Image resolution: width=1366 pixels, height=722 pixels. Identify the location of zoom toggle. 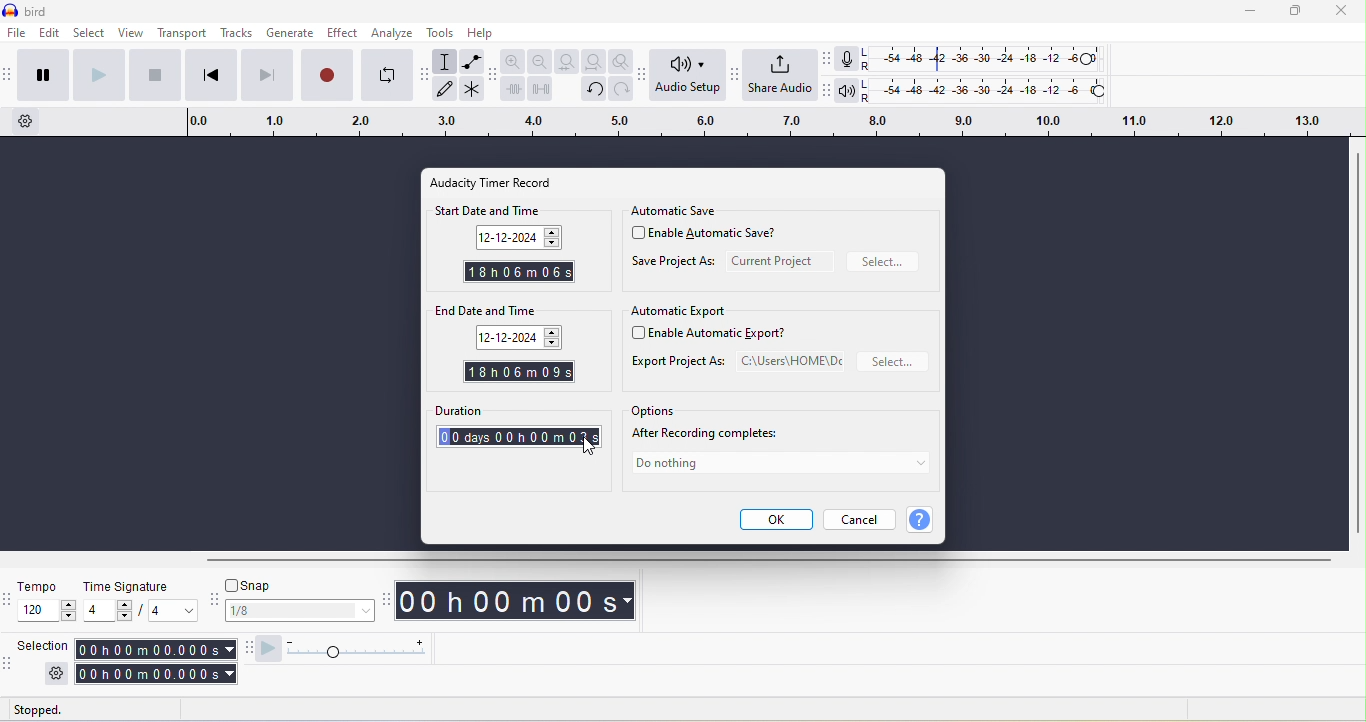
(620, 60).